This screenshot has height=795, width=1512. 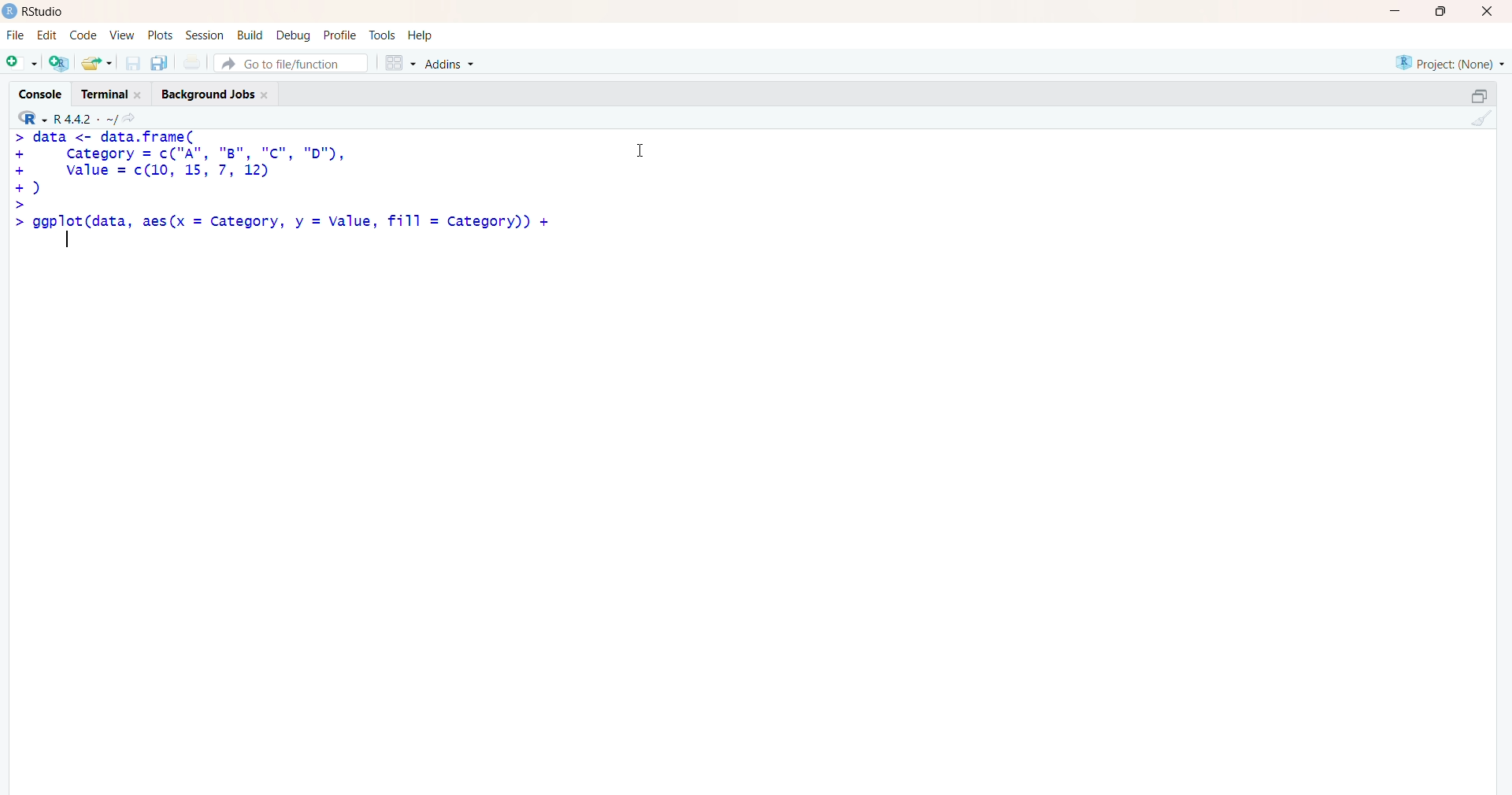 I want to click on debug, so click(x=294, y=35).